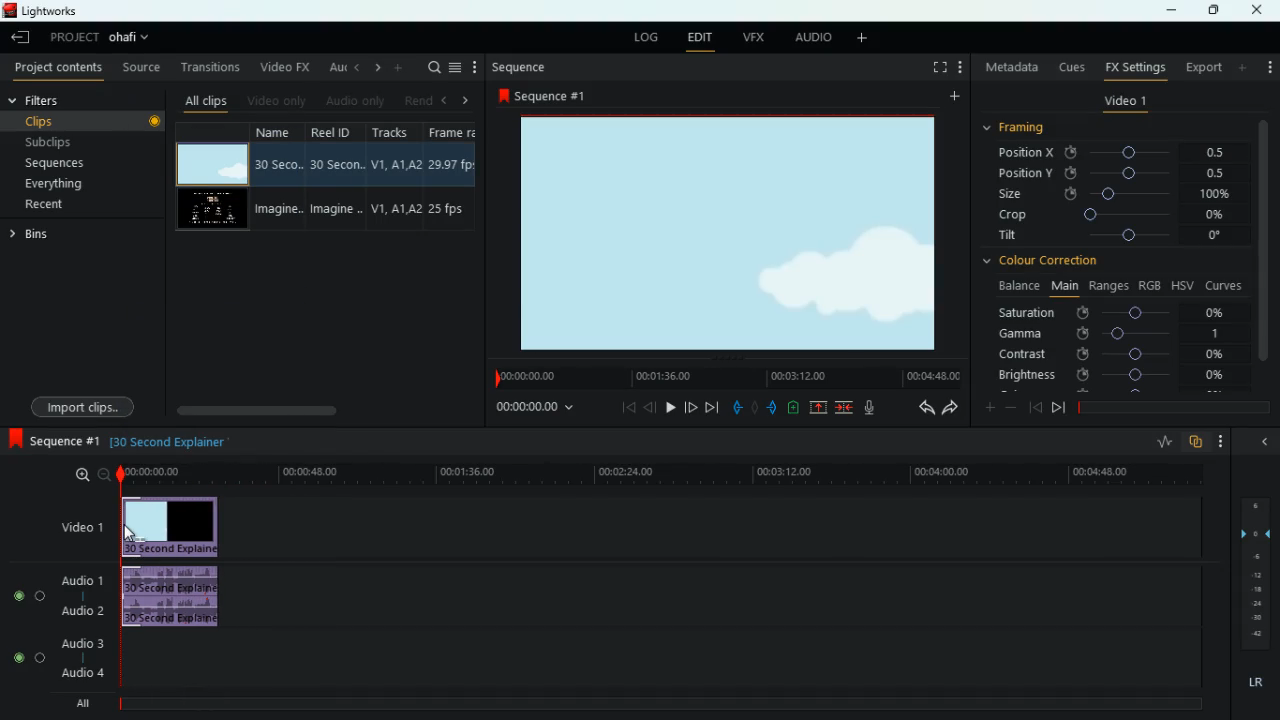  I want to click on audio 1, so click(81, 579).